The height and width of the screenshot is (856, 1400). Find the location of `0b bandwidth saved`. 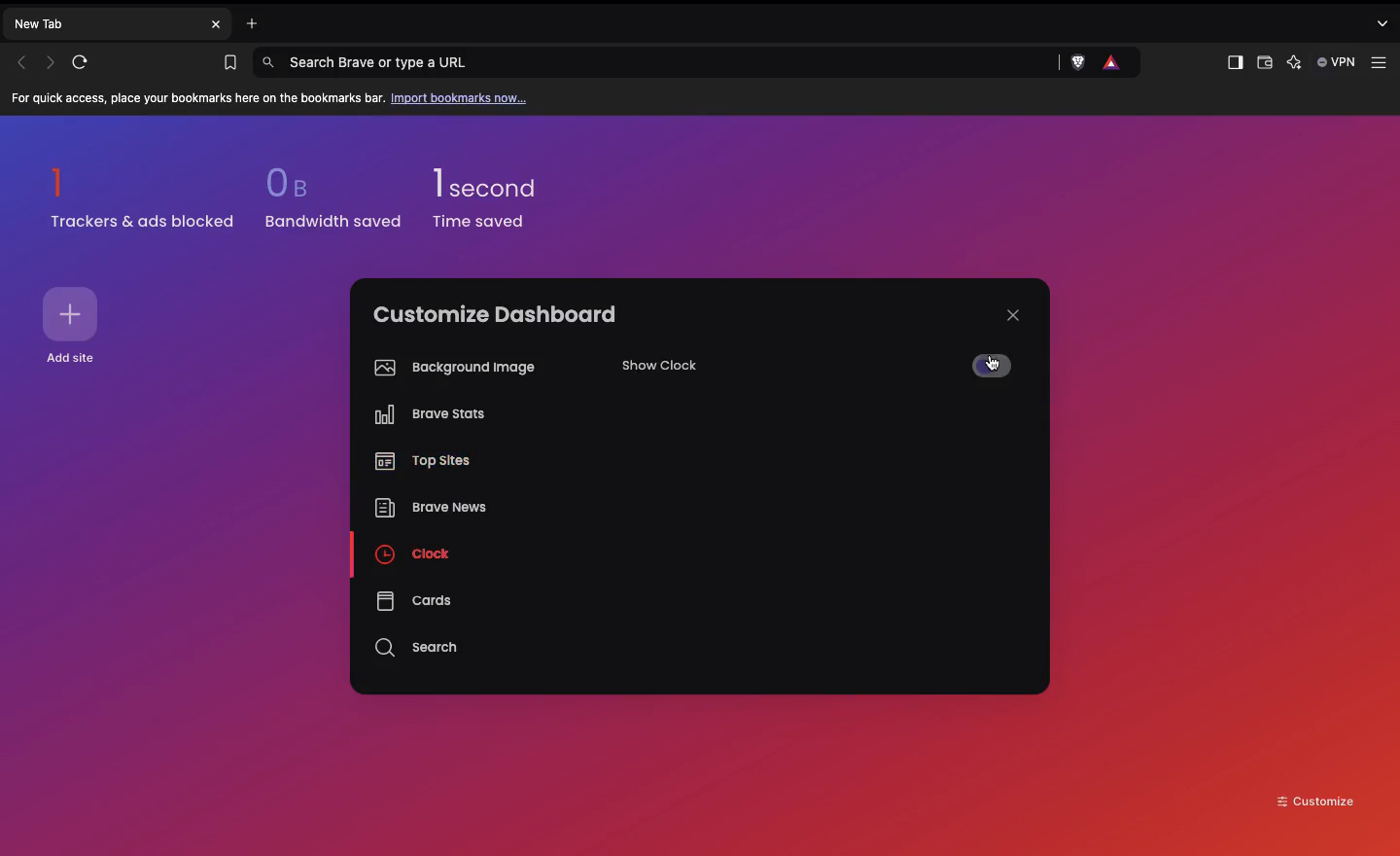

0b bandwidth saved is located at coordinates (328, 202).